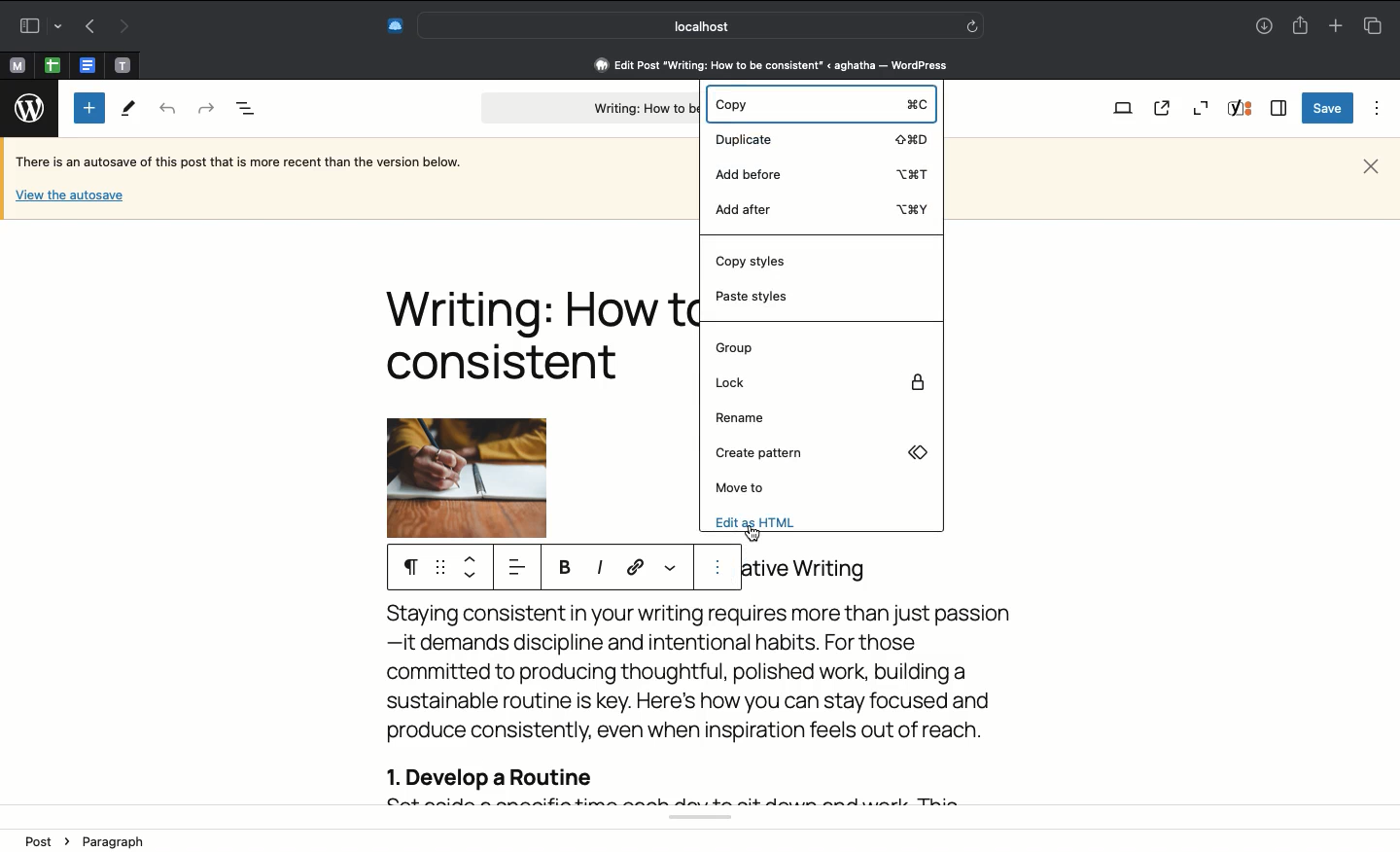 The height and width of the screenshot is (852, 1400). Describe the element at coordinates (818, 106) in the screenshot. I see `Copy` at that location.